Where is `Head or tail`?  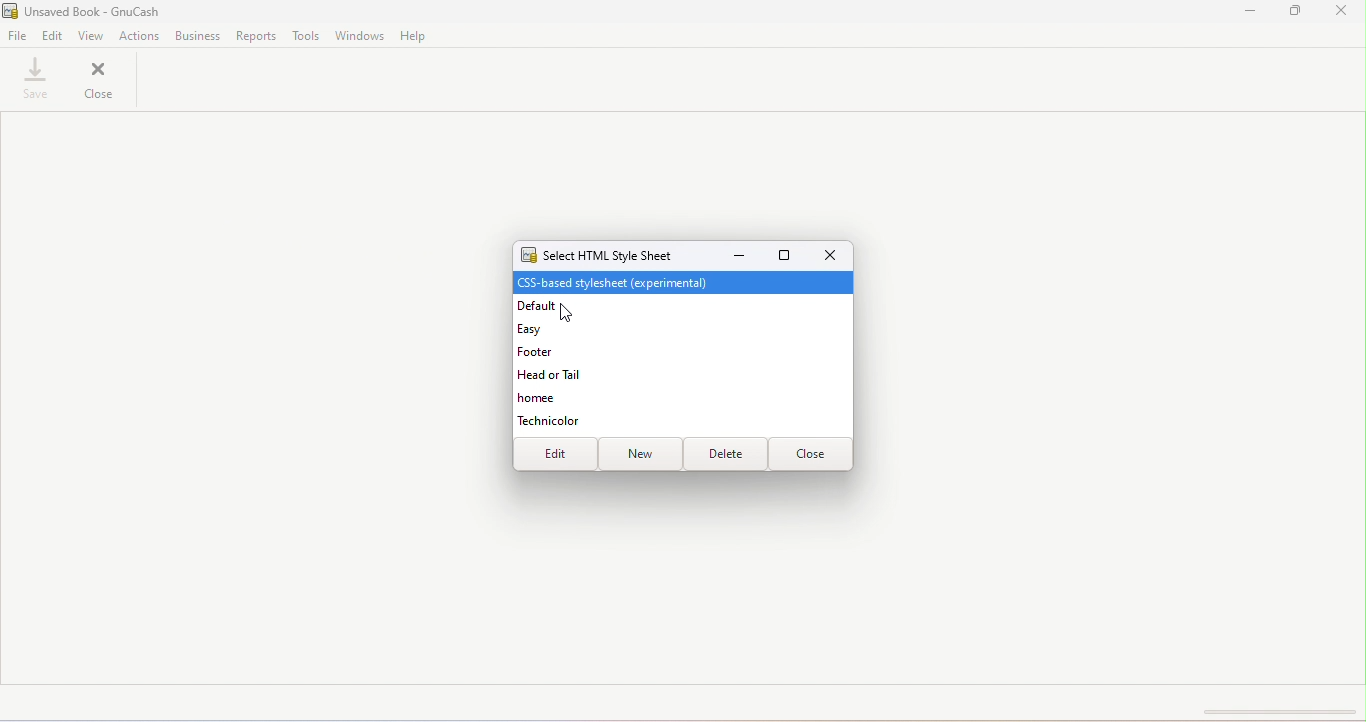
Head or tail is located at coordinates (553, 376).